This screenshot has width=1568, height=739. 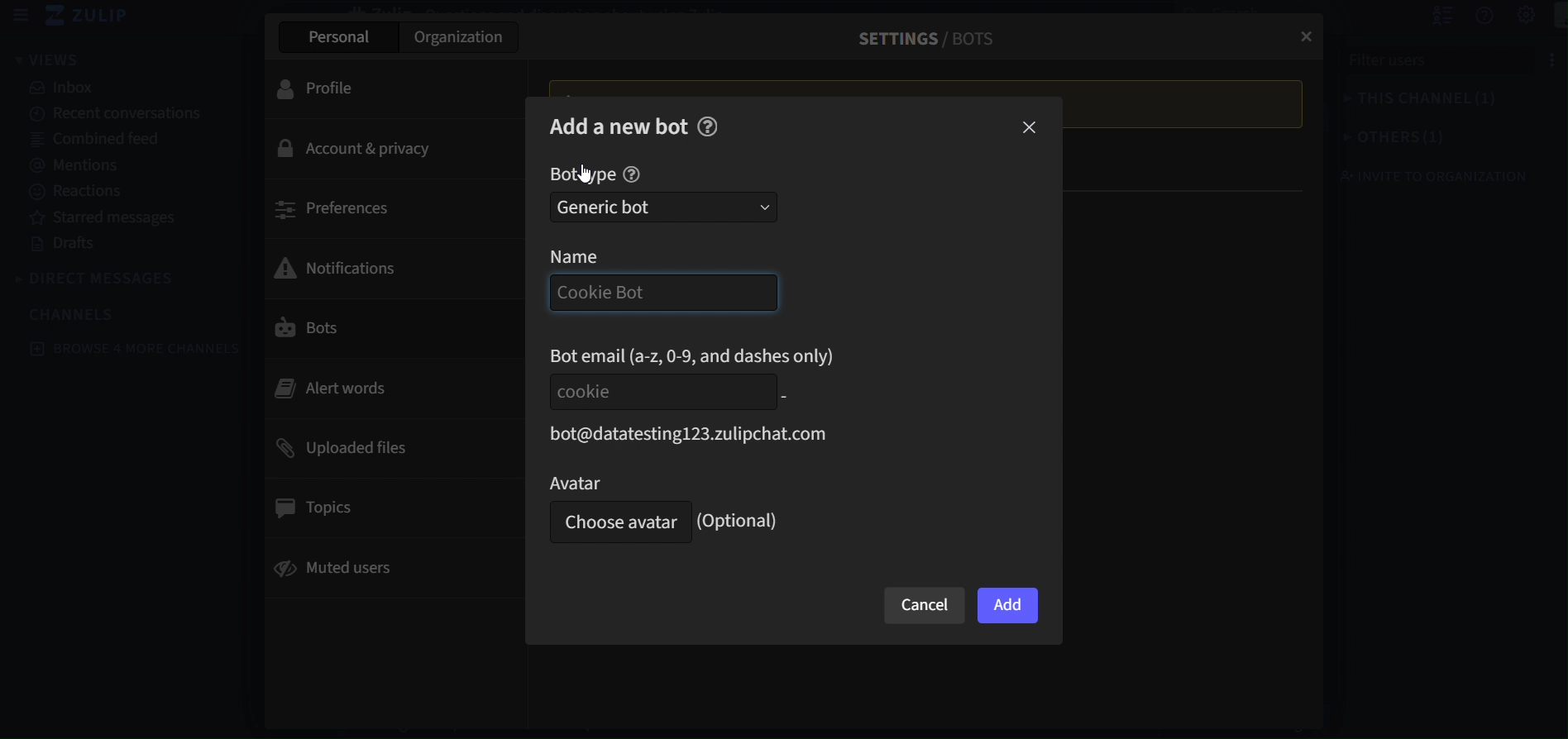 What do you see at coordinates (336, 37) in the screenshot?
I see `personal` at bounding box center [336, 37].